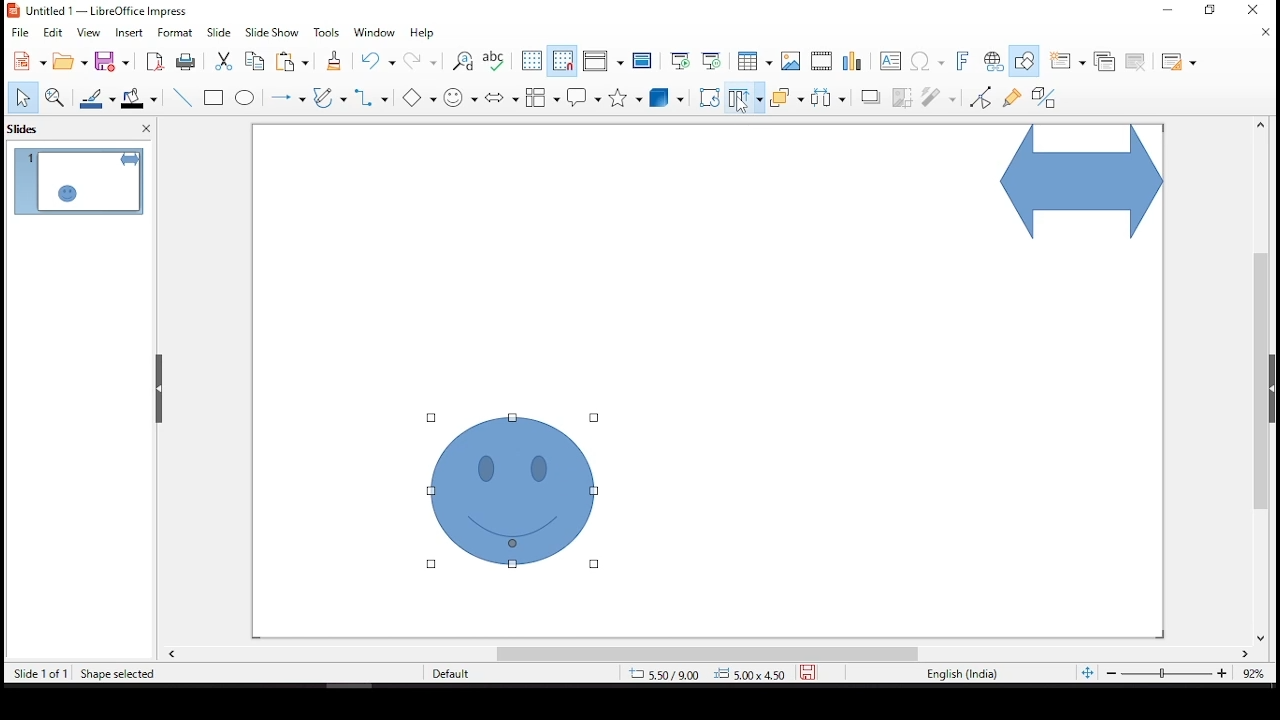  Describe the element at coordinates (22, 99) in the screenshot. I see `select tool` at that location.